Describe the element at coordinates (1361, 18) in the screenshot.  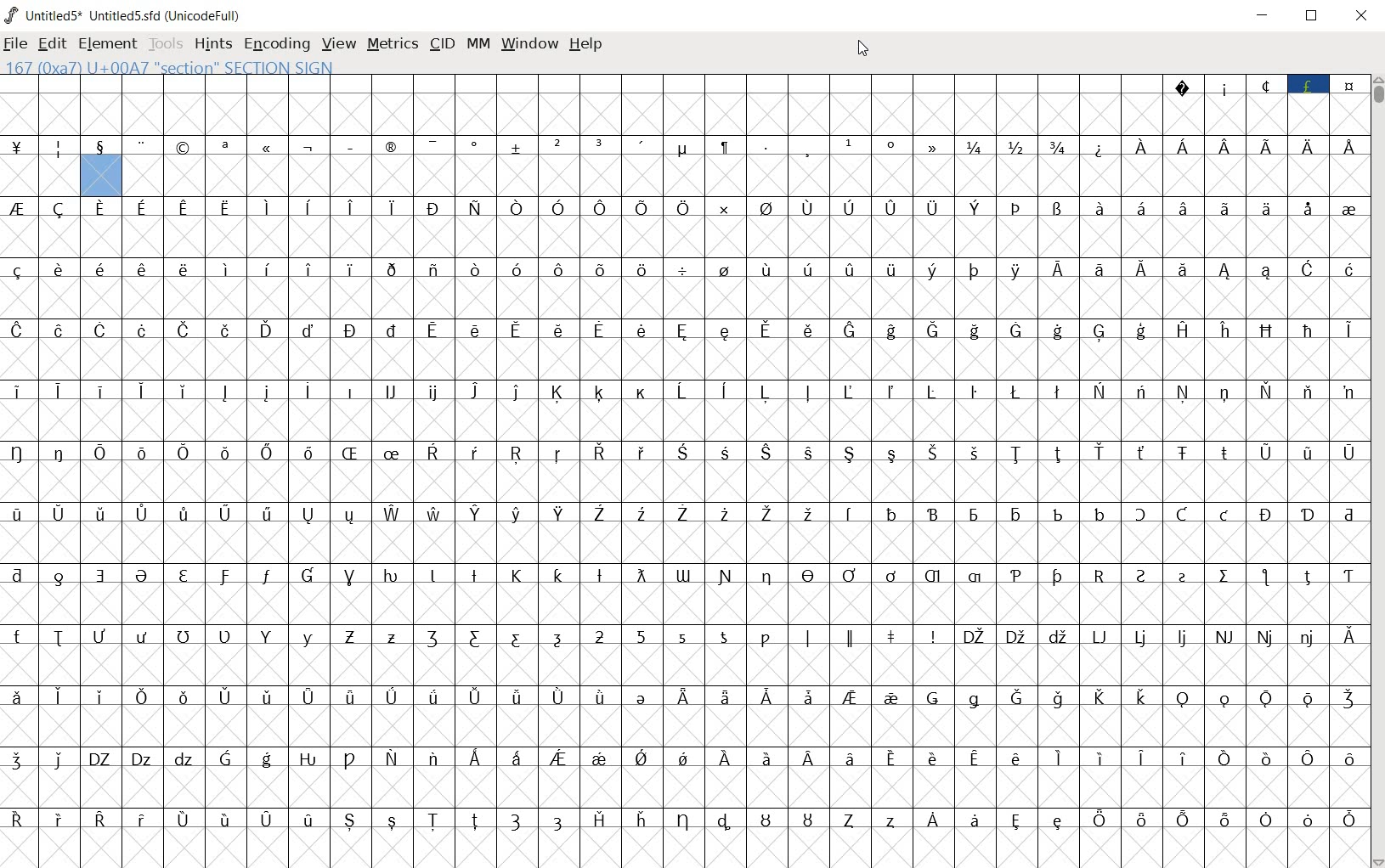
I see `CLOSE` at that location.